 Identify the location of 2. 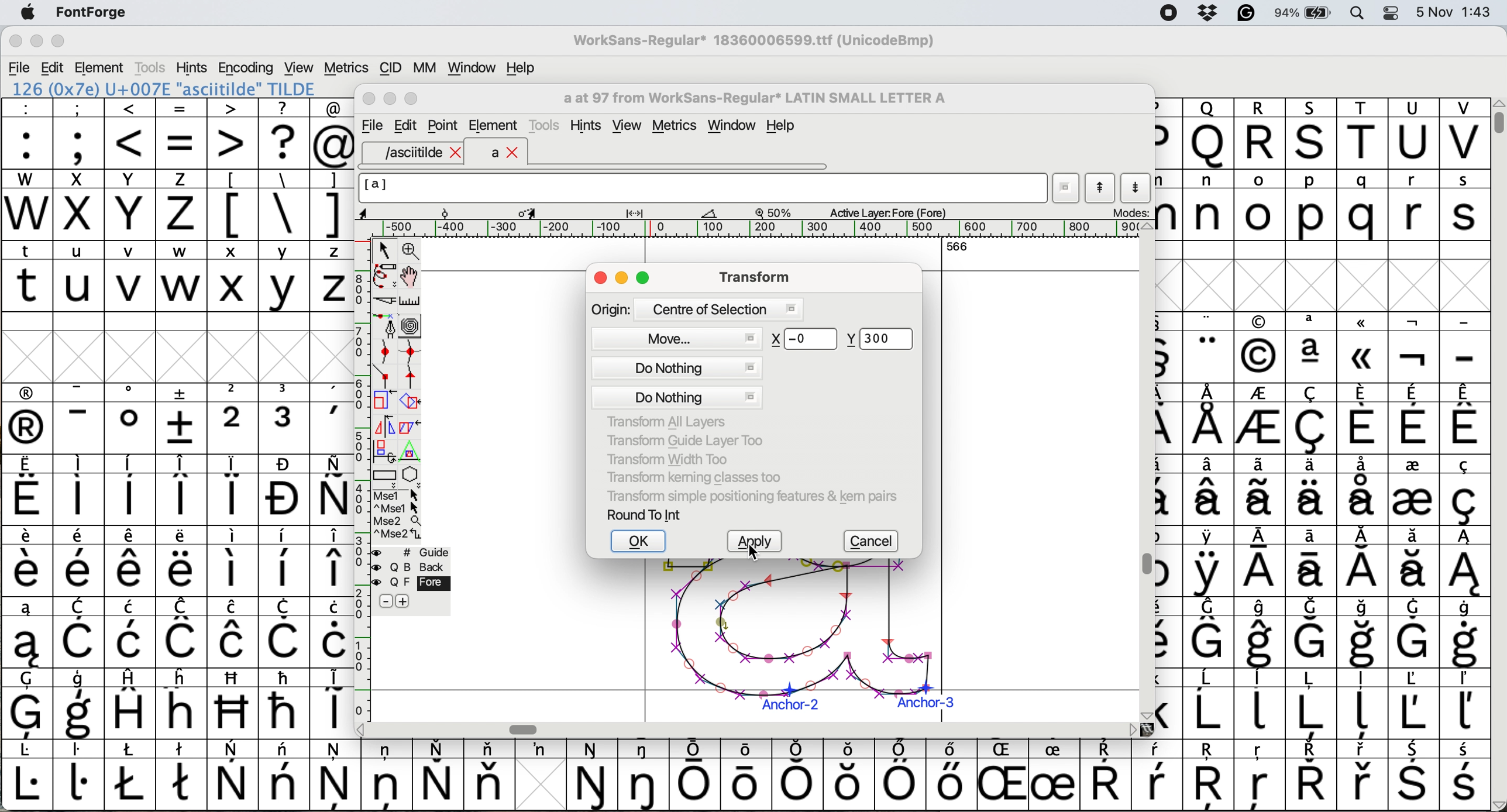
(233, 418).